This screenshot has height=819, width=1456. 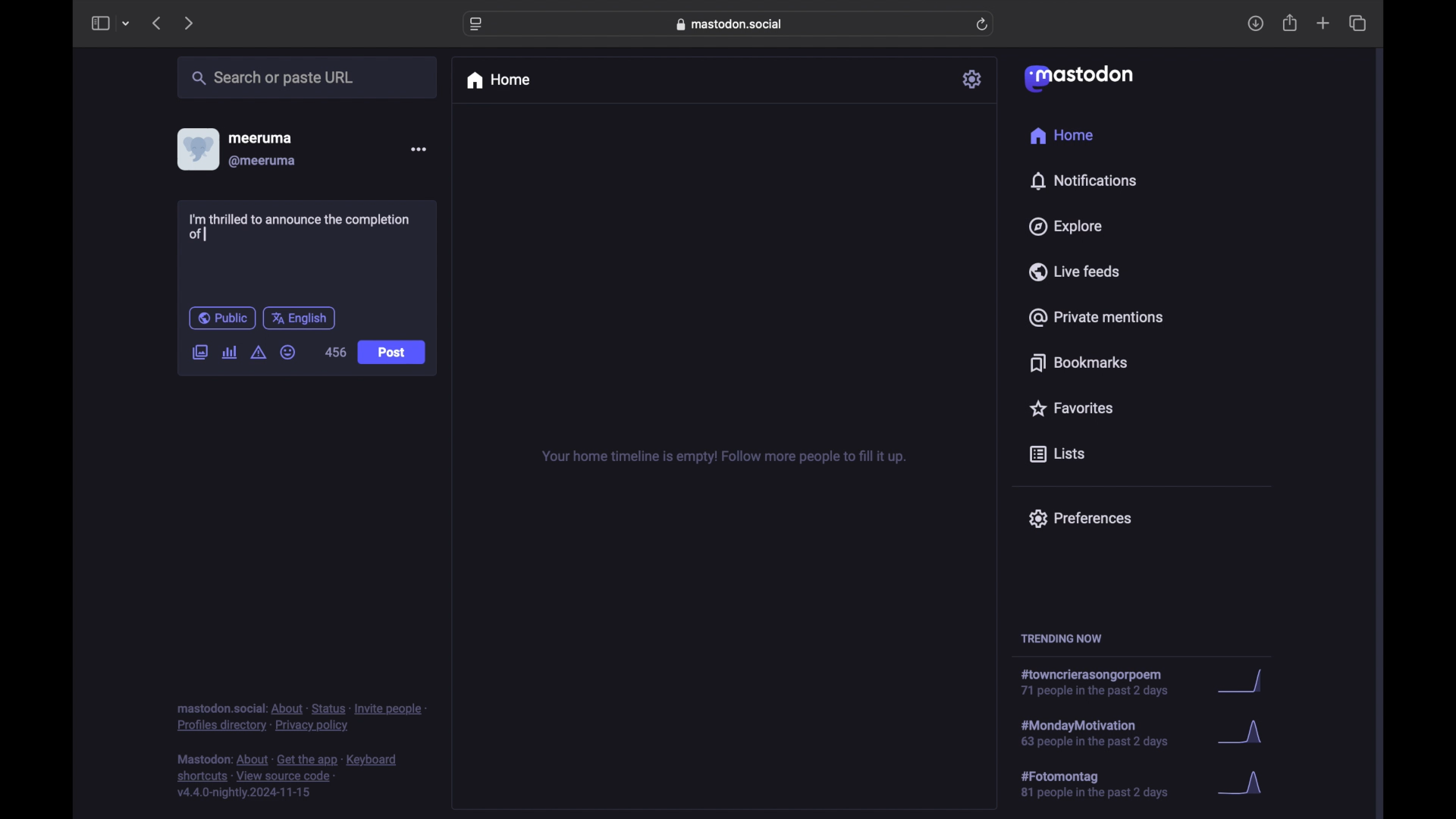 I want to click on add image, so click(x=199, y=353).